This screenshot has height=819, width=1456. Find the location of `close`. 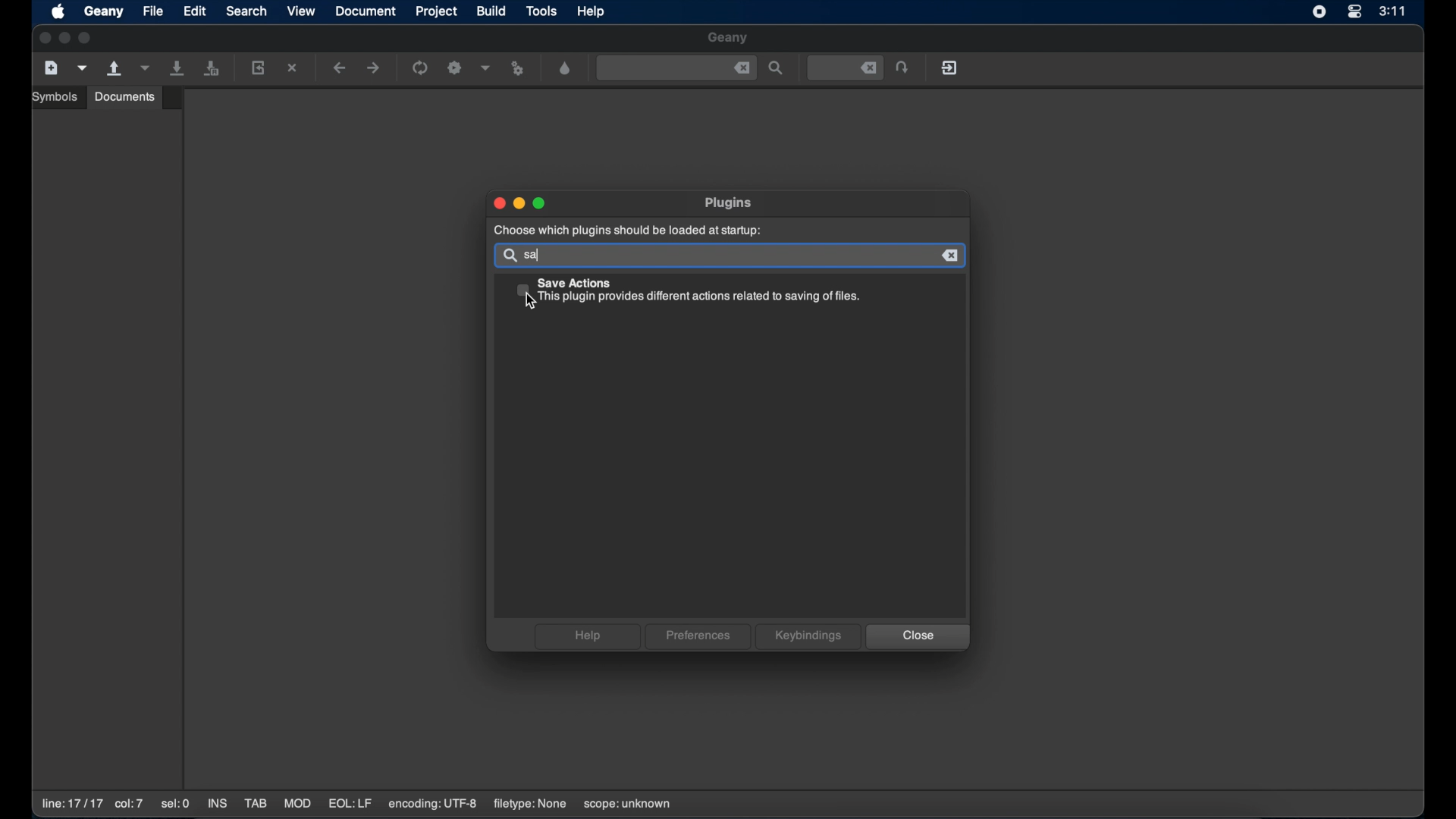

close is located at coordinates (952, 256).